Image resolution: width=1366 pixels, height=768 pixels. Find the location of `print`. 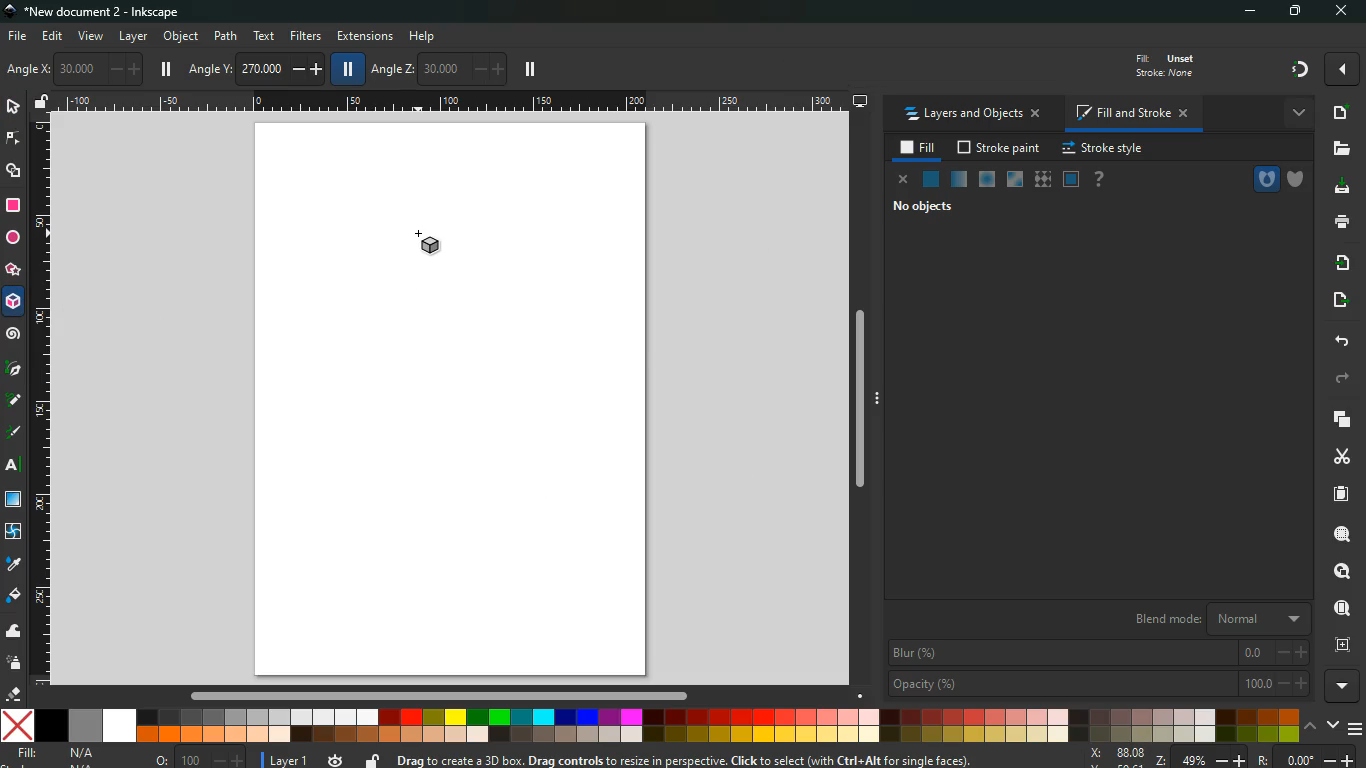

print is located at coordinates (1341, 221).